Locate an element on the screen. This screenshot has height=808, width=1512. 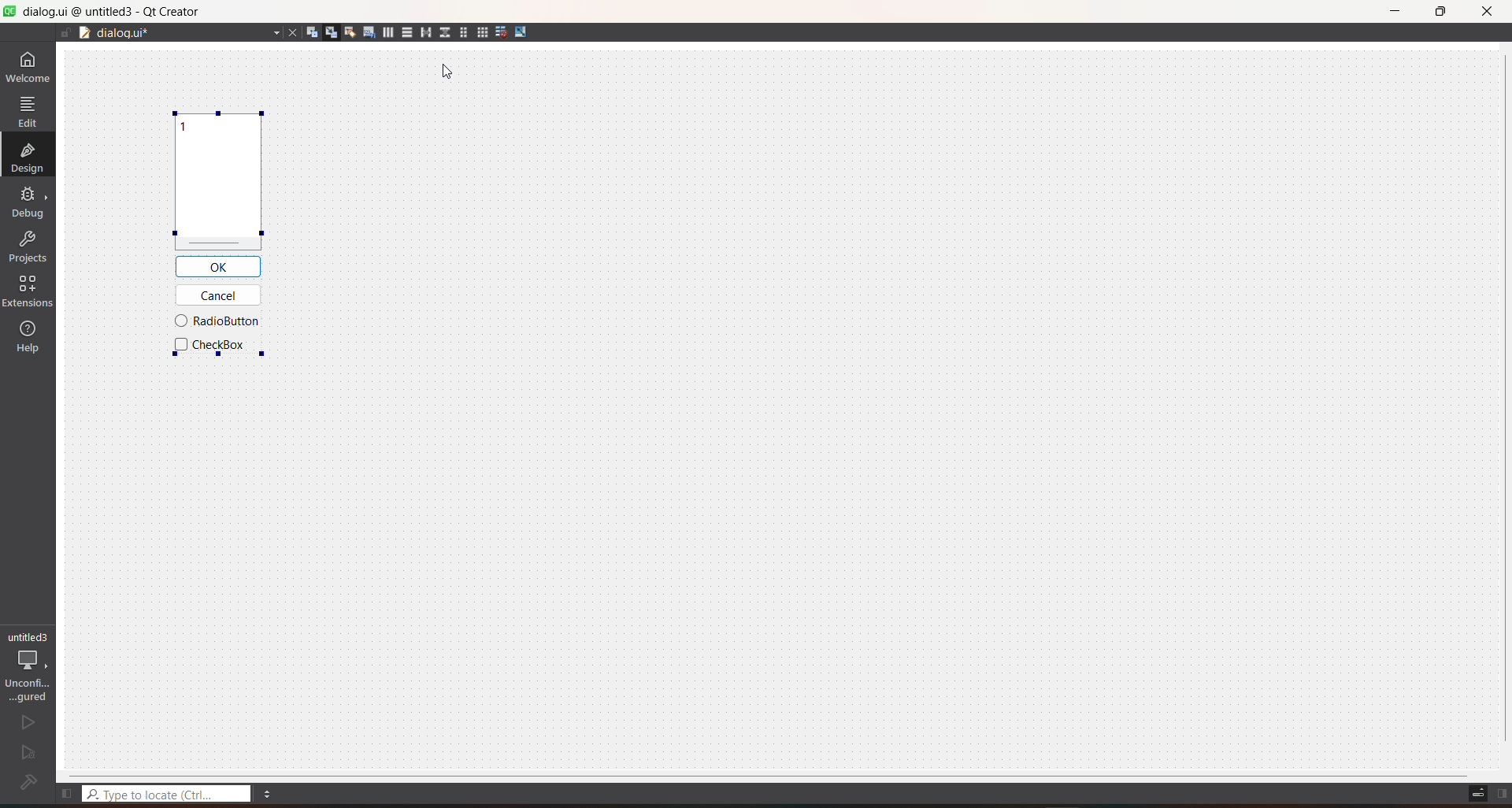
debug is located at coordinates (30, 201).